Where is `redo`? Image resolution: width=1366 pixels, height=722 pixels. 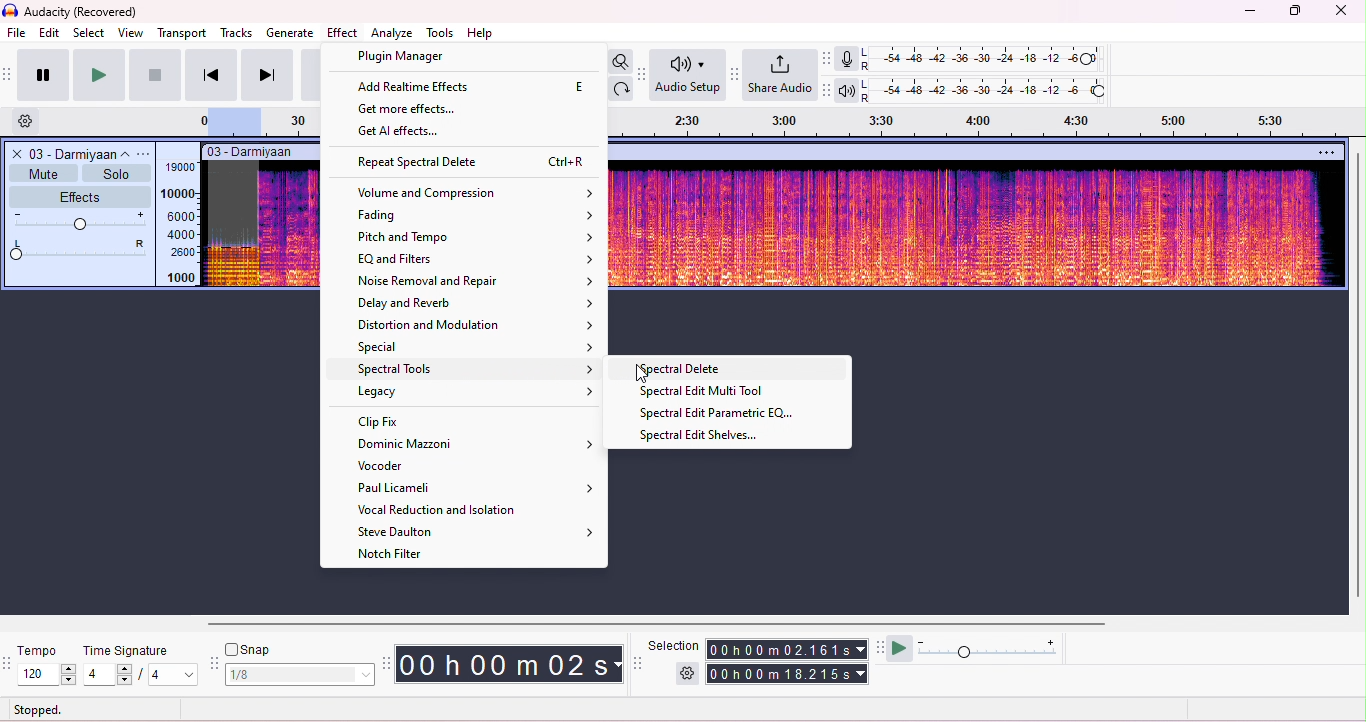
redo is located at coordinates (623, 89).